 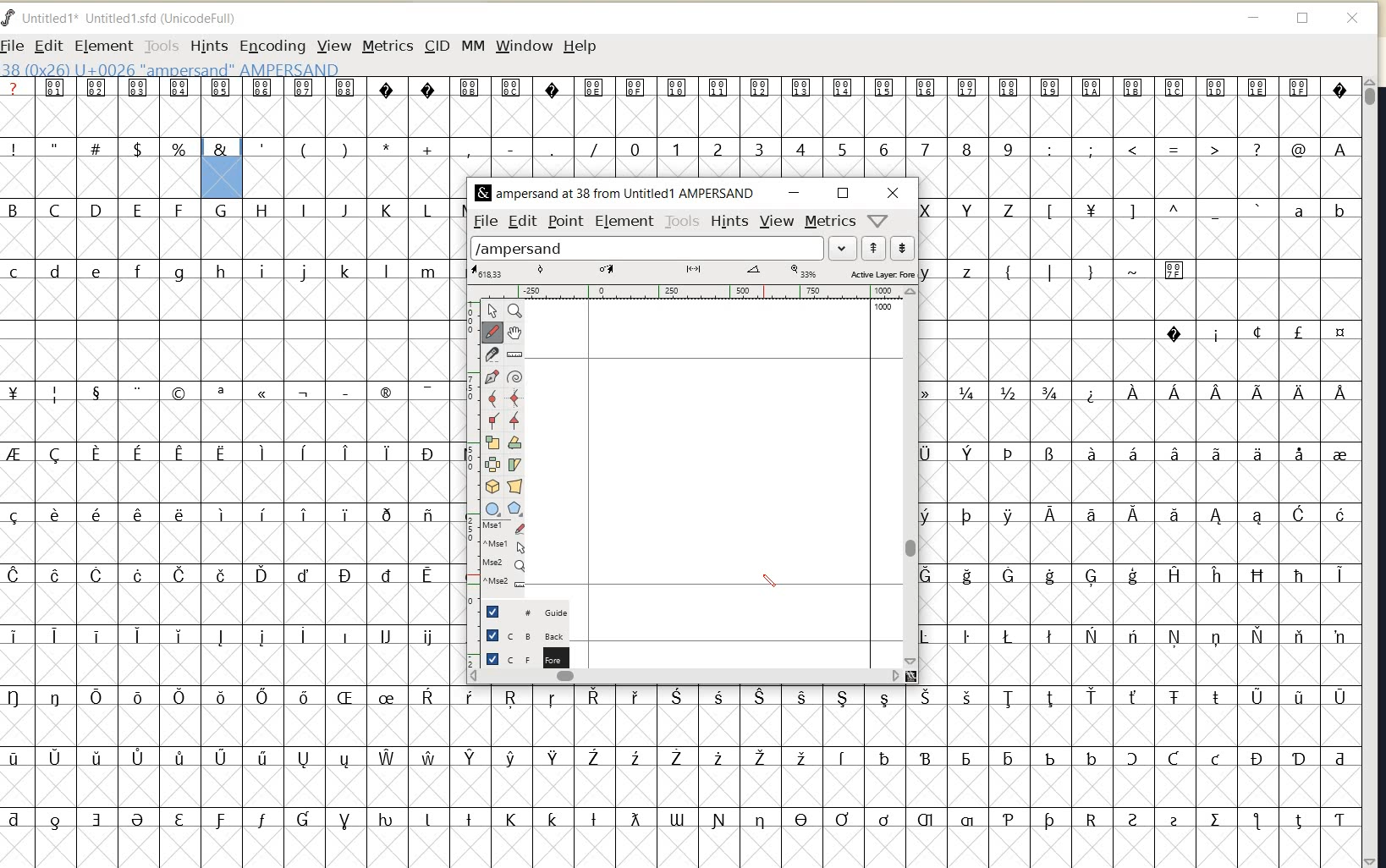 I want to click on EDIT, so click(x=521, y=222).